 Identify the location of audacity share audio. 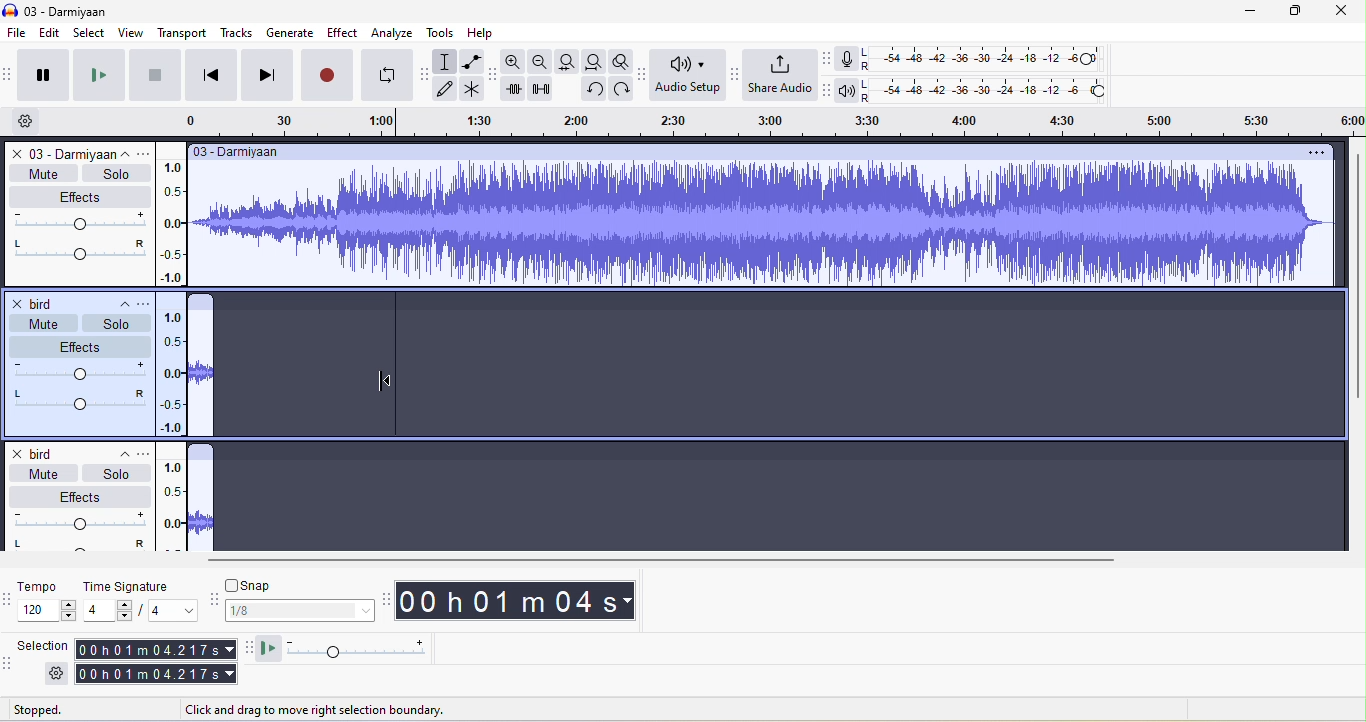
(735, 75).